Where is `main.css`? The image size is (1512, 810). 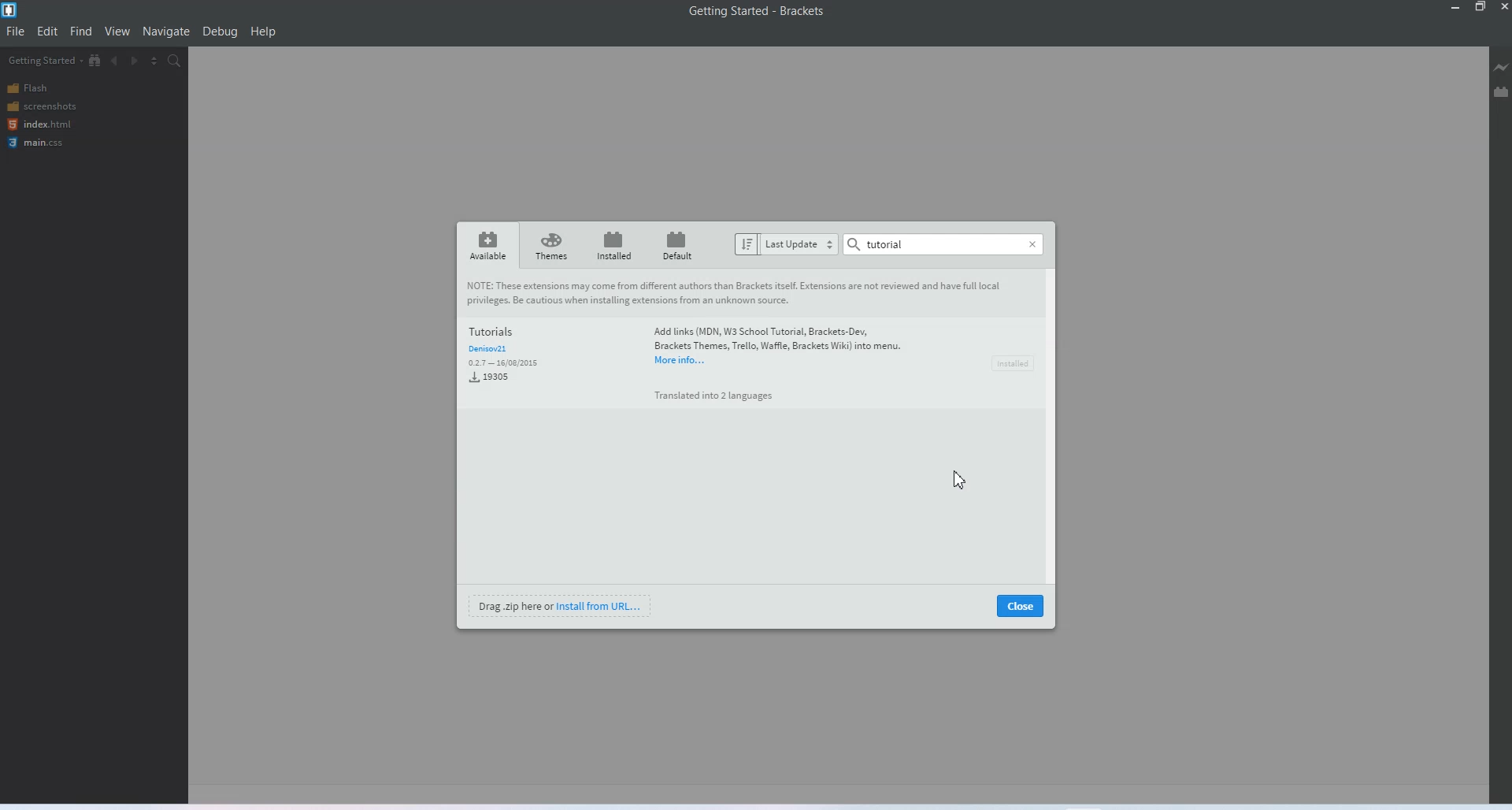
main.css is located at coordinates (40, 143).